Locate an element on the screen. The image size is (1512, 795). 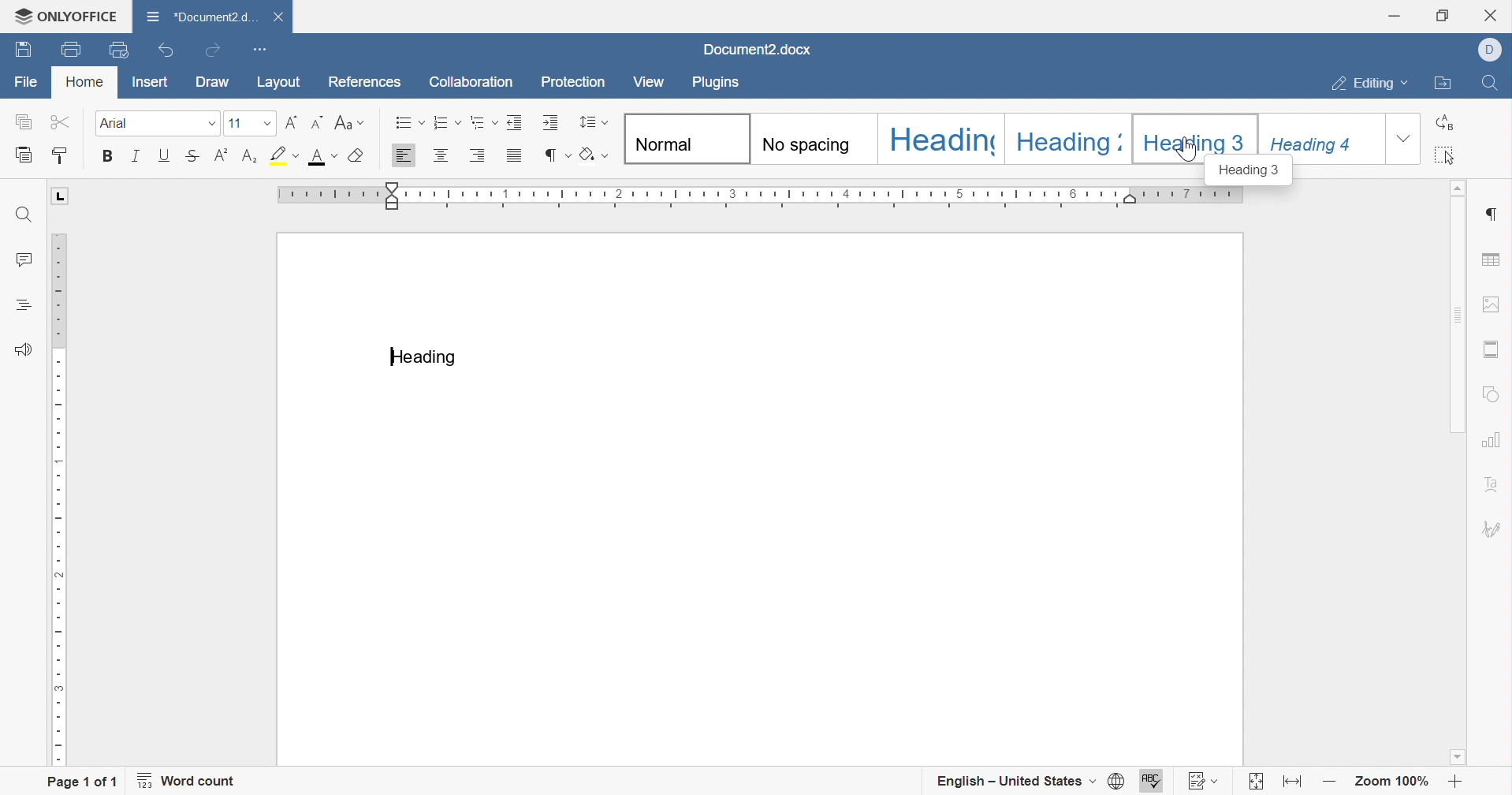
Decrease Indent is located at coordinates (511, 123).